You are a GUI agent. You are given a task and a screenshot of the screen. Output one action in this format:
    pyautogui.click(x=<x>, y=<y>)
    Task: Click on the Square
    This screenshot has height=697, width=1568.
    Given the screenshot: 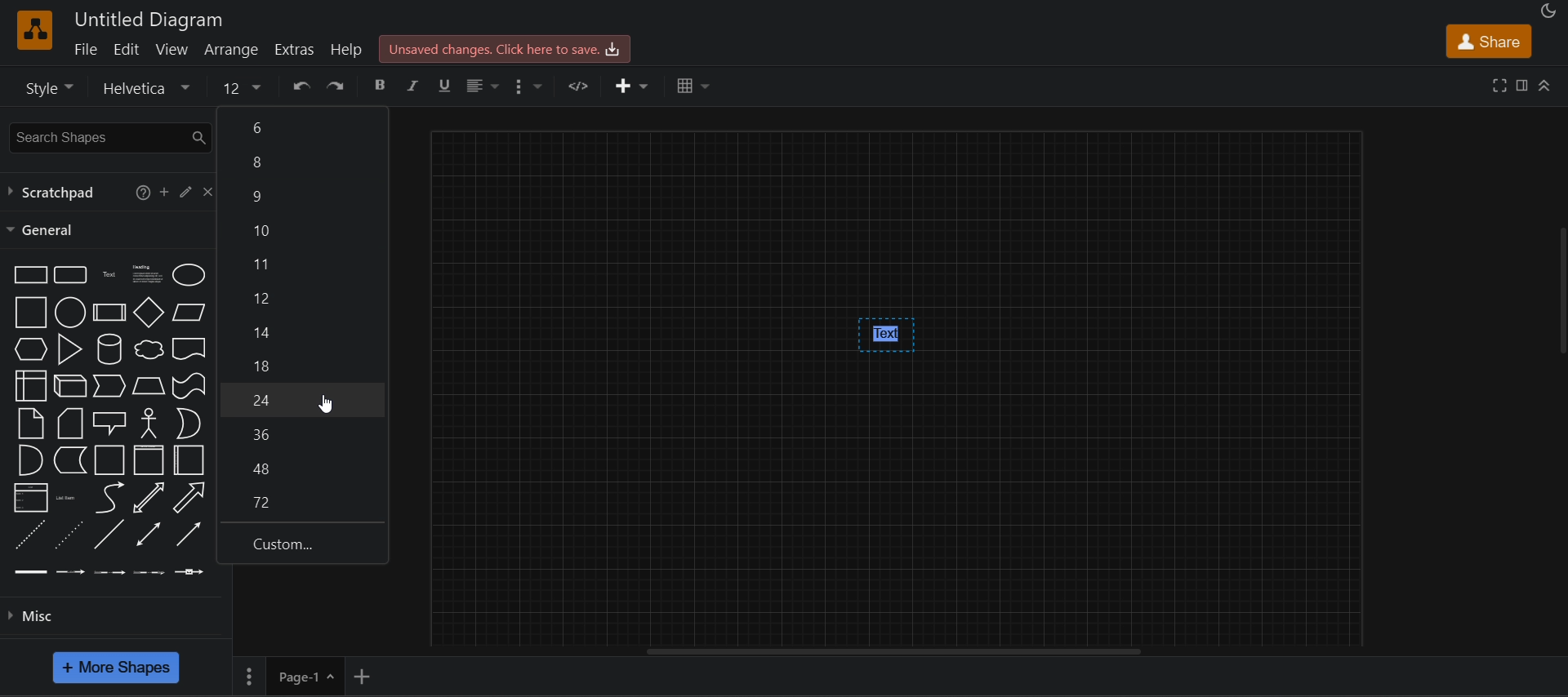 What is the action you would take?
    pyautogui.click(x=31, y=312)
    